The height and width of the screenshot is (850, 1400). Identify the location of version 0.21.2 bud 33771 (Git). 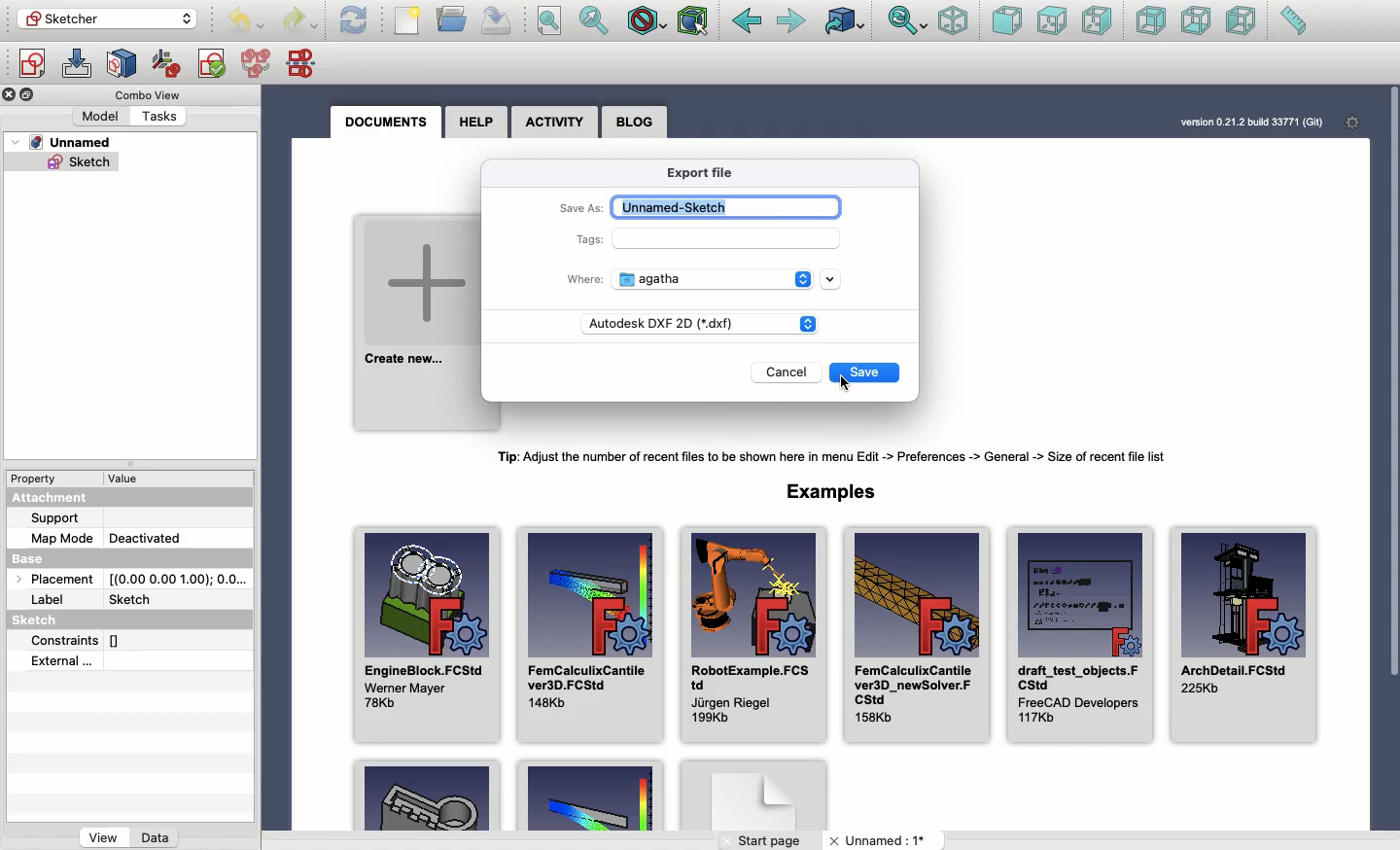
(1246, 121).